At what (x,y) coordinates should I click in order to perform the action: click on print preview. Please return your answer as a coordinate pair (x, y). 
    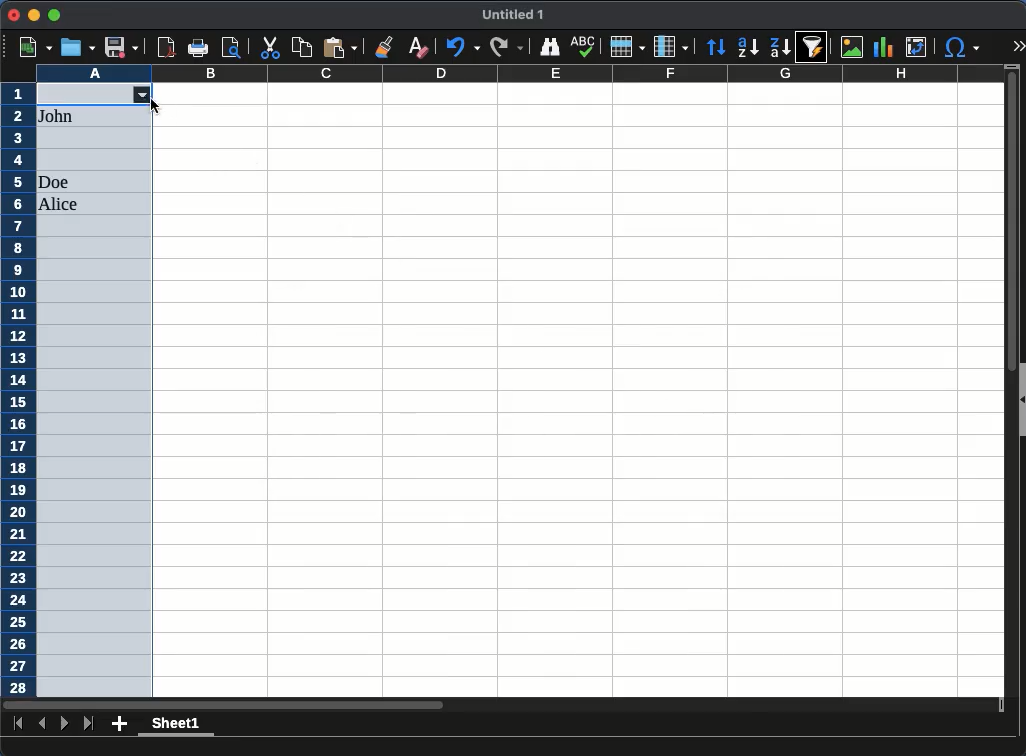
    Looking at the image, I should click on (231, 47).